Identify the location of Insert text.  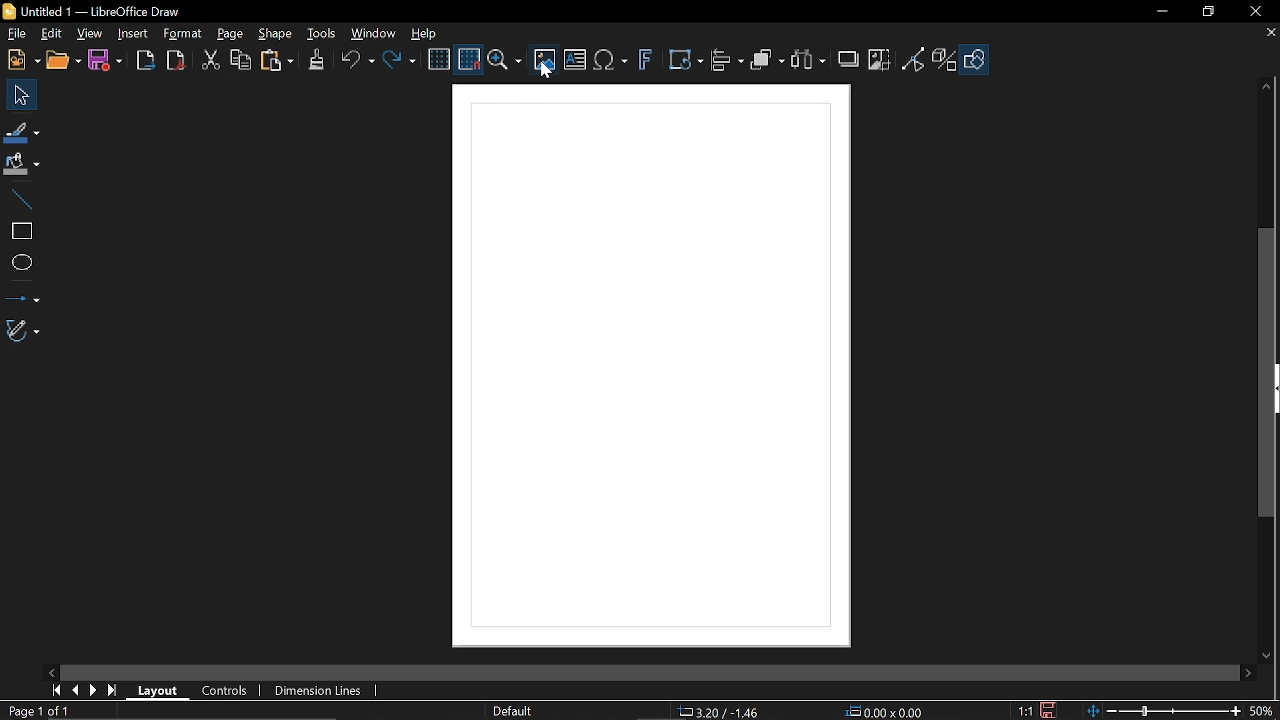
(576, 61).